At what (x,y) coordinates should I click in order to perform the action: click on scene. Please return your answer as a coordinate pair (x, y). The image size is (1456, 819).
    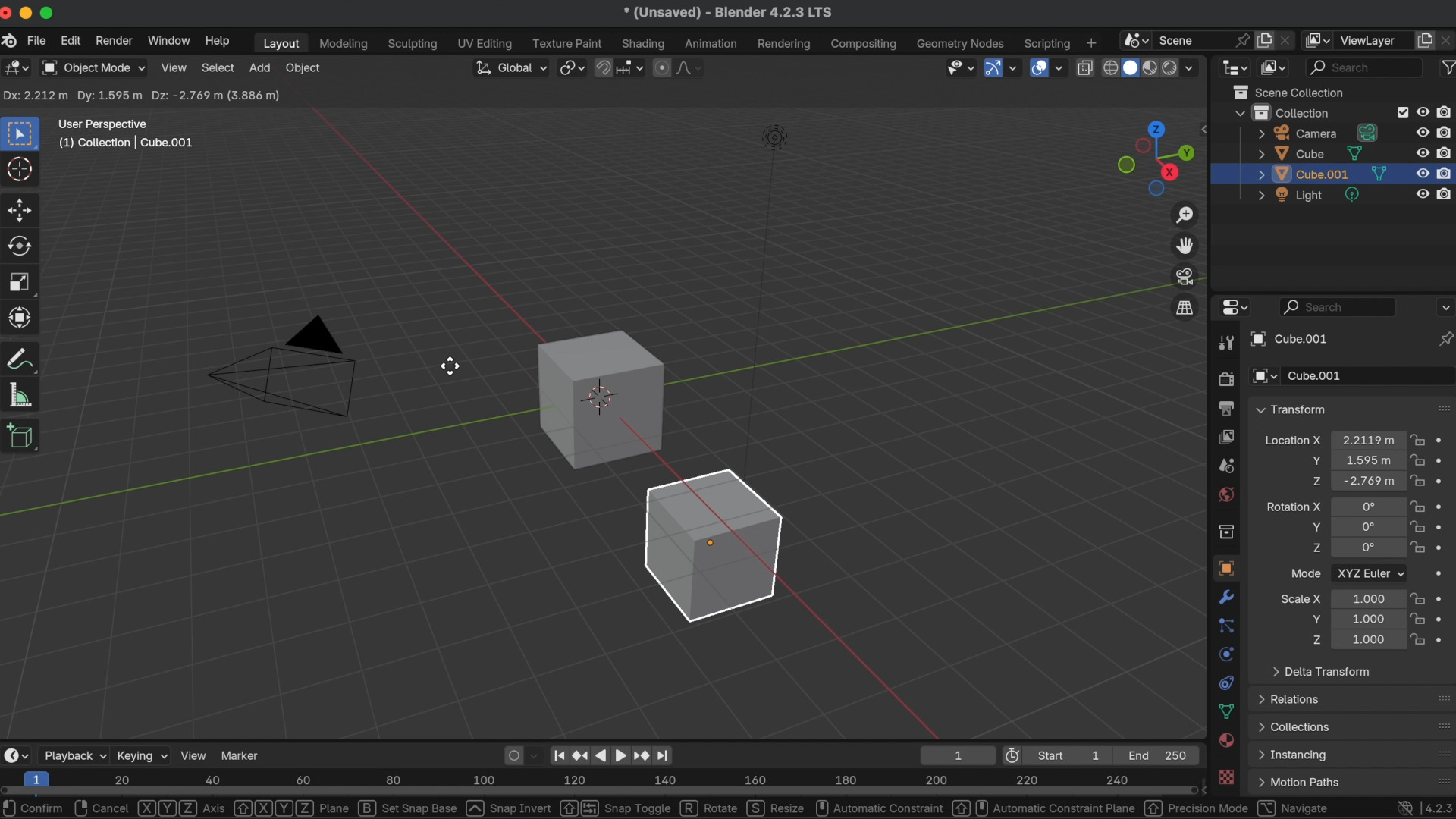
    Looking at the image, I should click on (1184, 39).